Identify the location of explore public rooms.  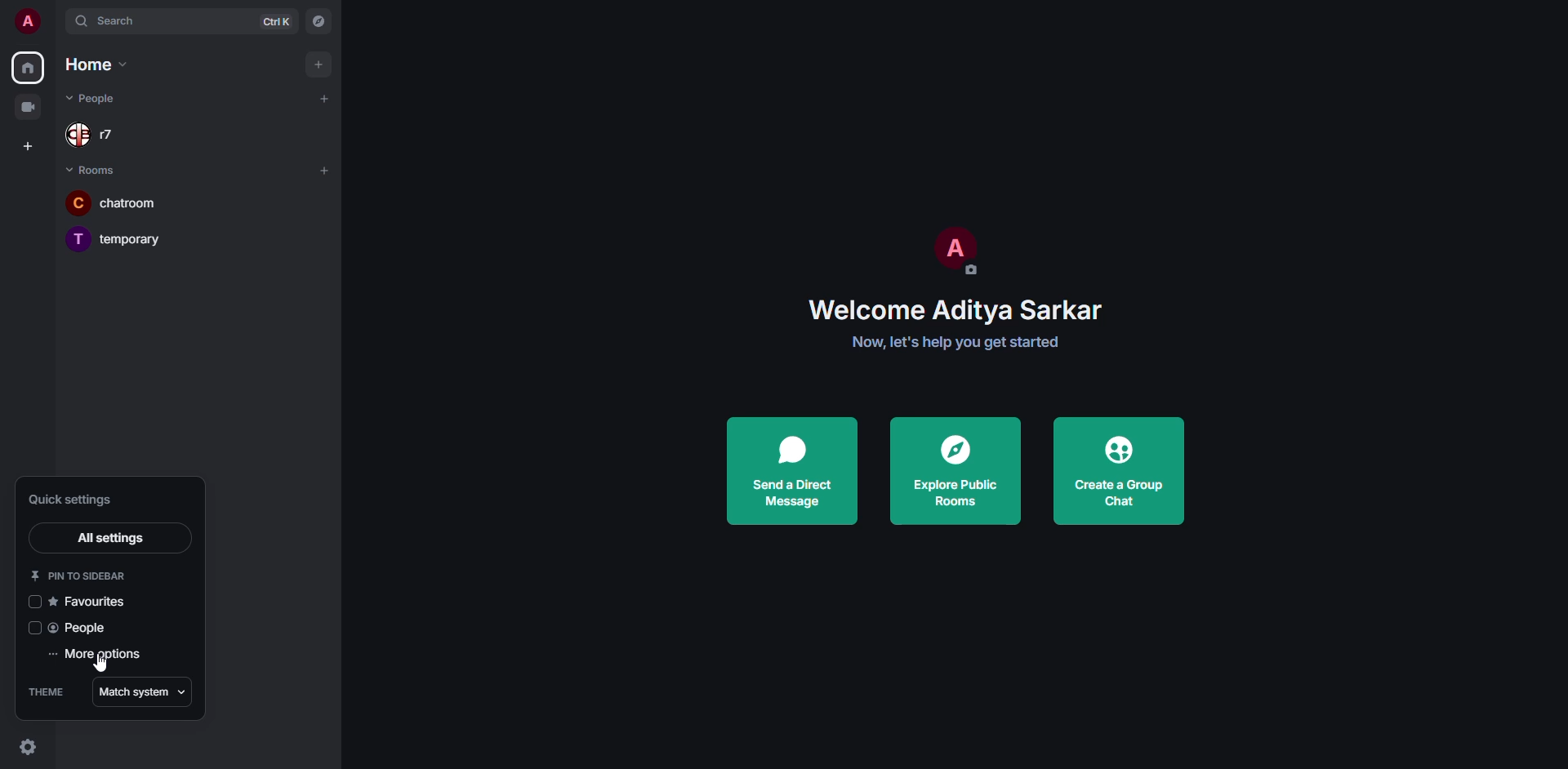
(954, 469).